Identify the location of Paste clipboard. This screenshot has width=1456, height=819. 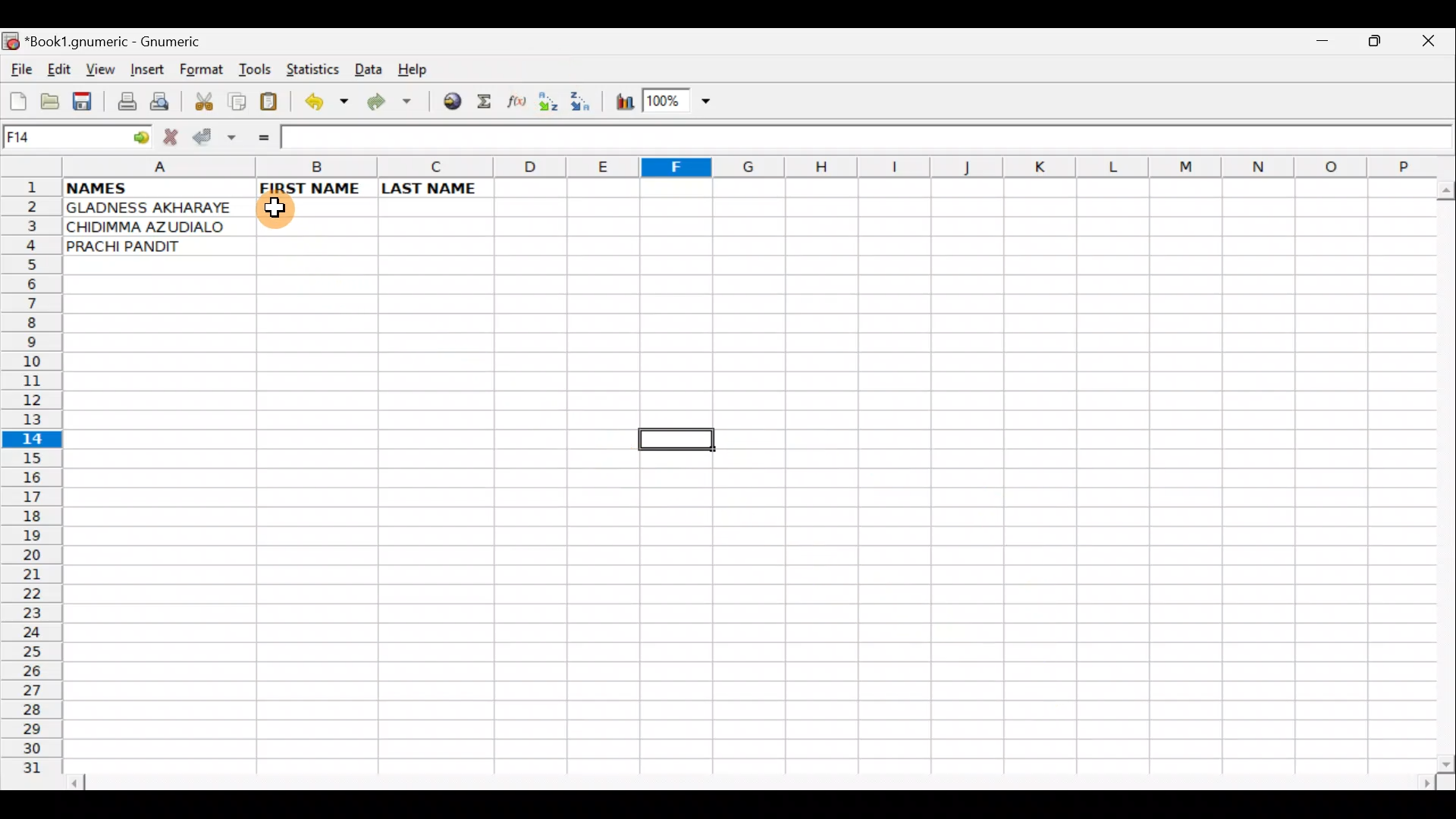
(274, 104).